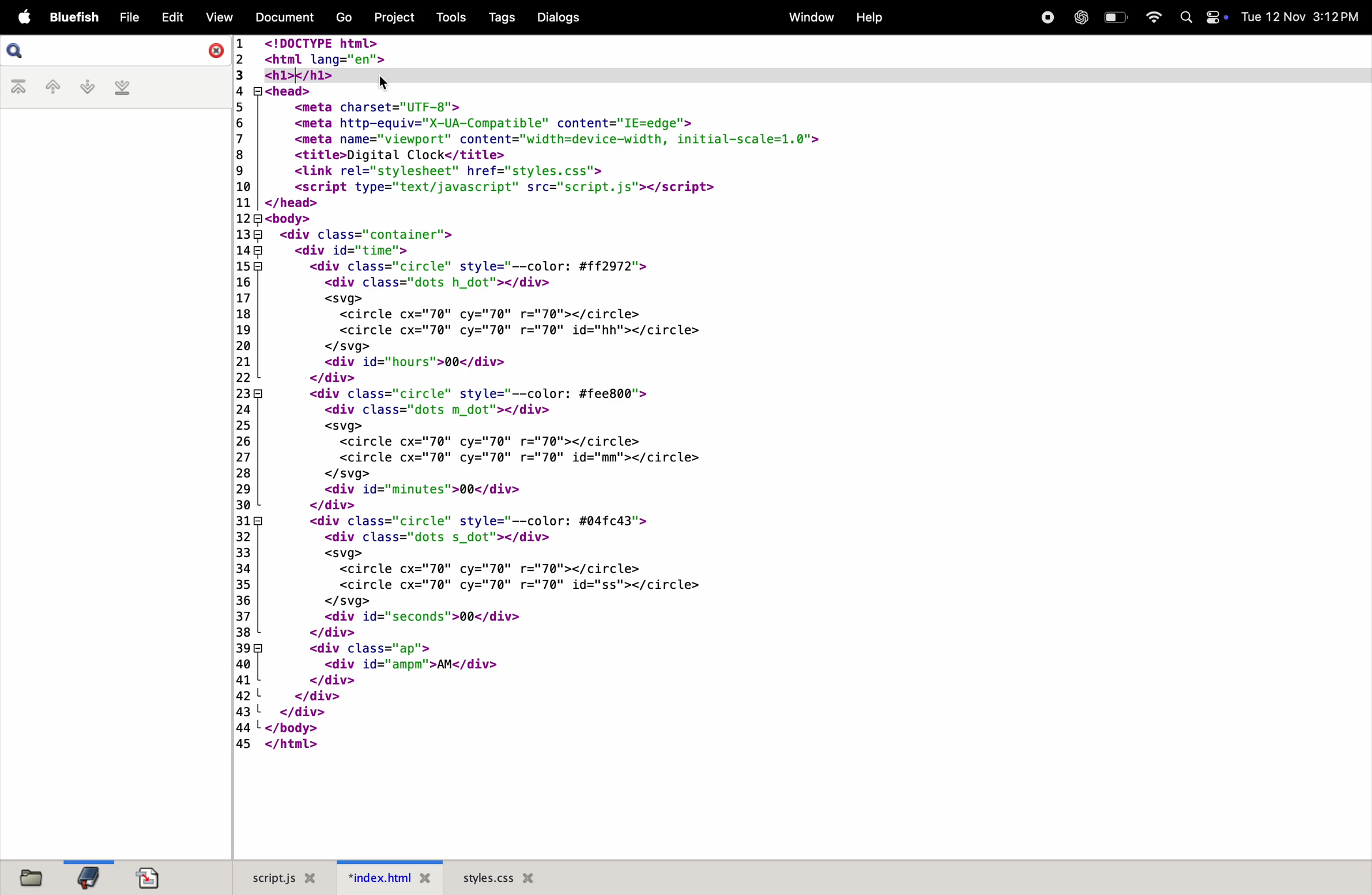  What do you see at coordinates (1045, 16) in the screenshot?
I see `record` at bounding box center [1045, 16].